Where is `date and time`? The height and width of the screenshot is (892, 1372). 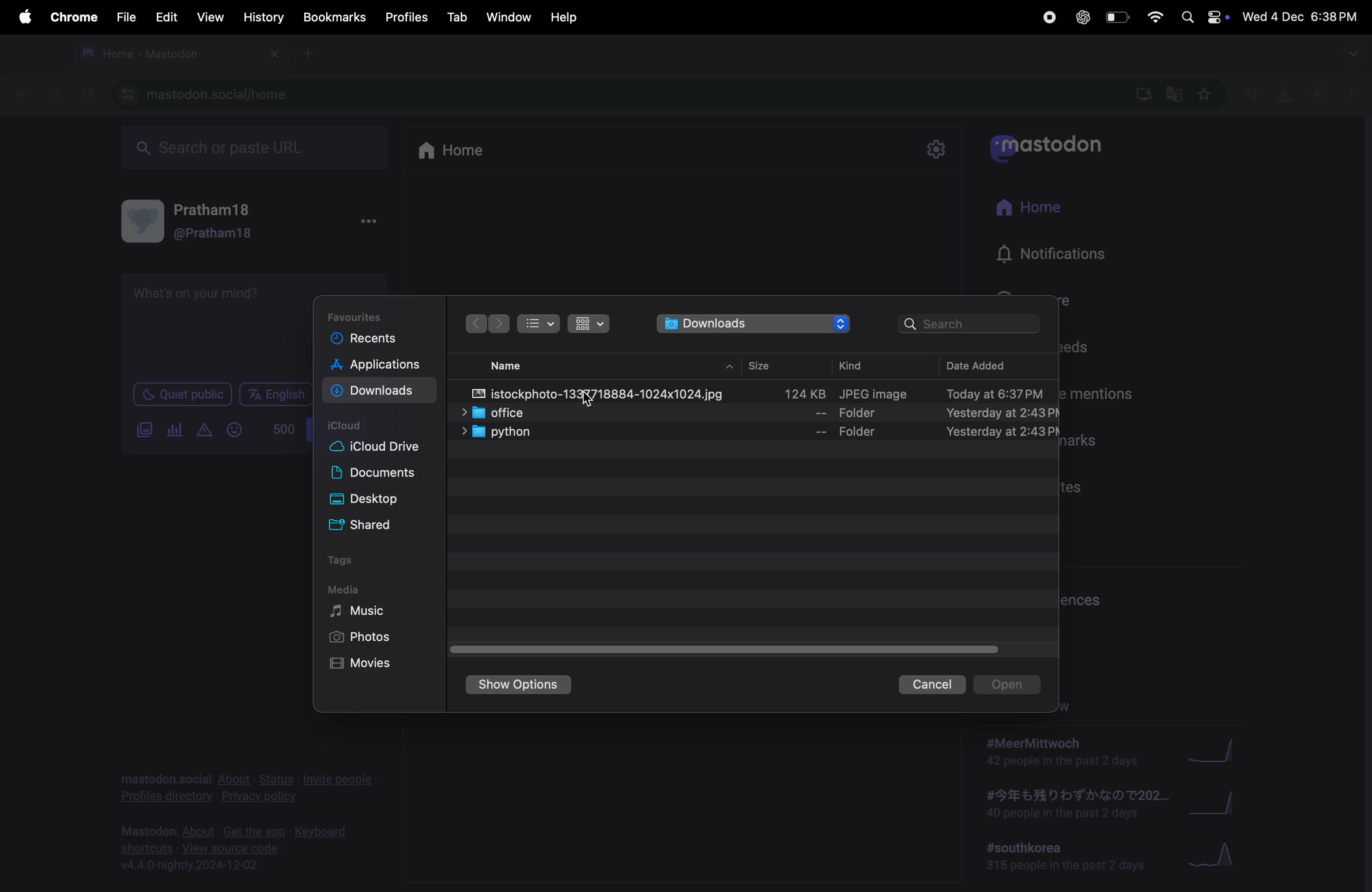 date and time is located at coordinates (1301, 17).